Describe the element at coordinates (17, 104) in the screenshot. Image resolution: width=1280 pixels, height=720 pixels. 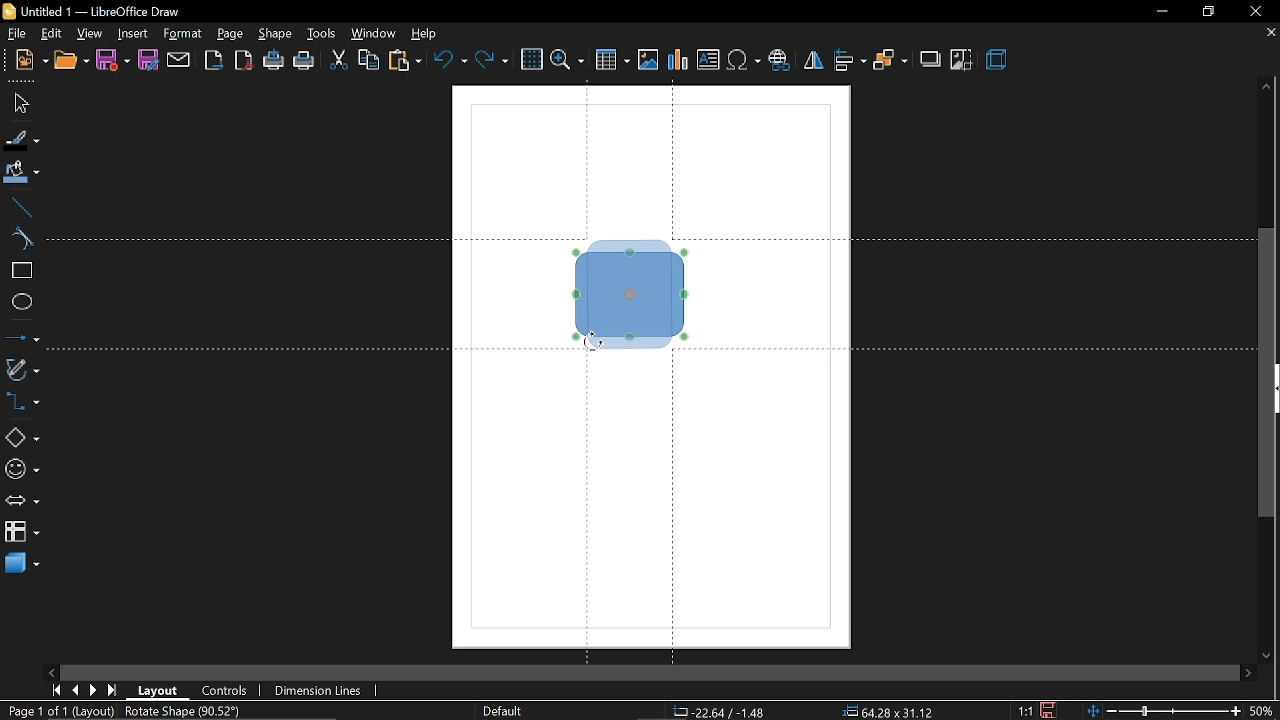
I see `select` at that location.